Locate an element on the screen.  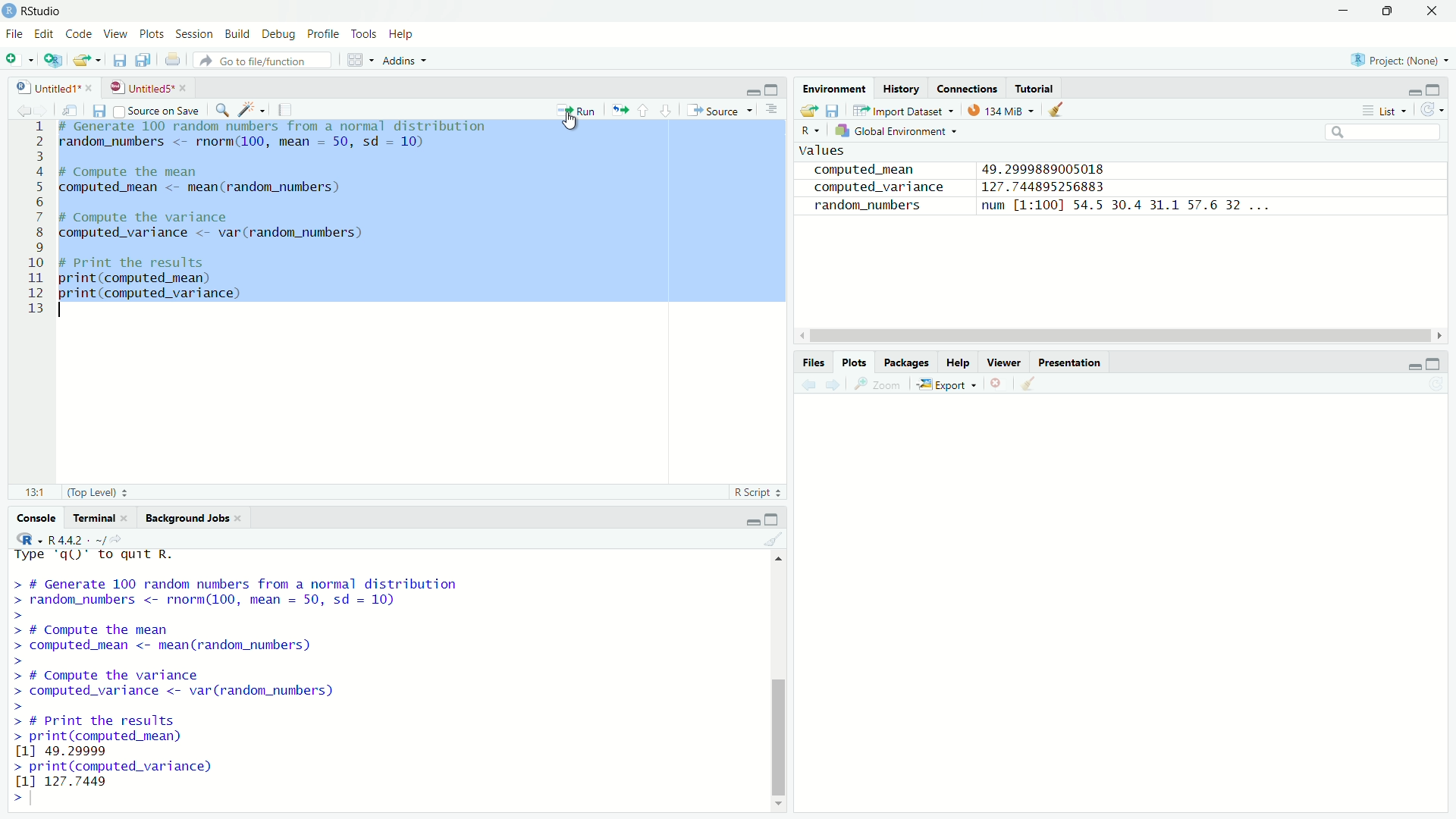
plots is located at coordinates (855, 362).